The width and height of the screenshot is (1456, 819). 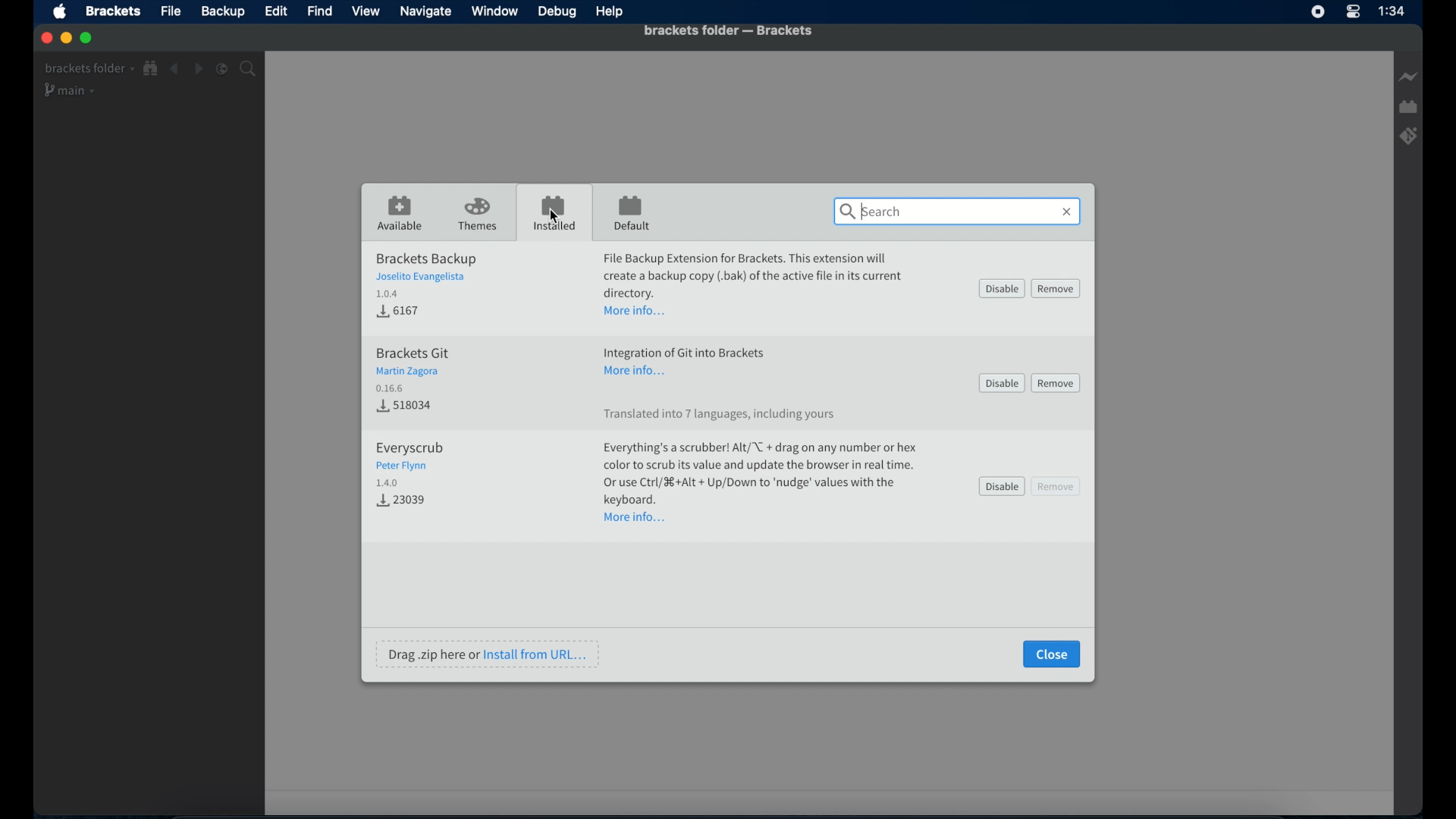 What do you see at coordinates (320, 11) in the screenshot?
I see `Find` at bounding box center [320, 11].